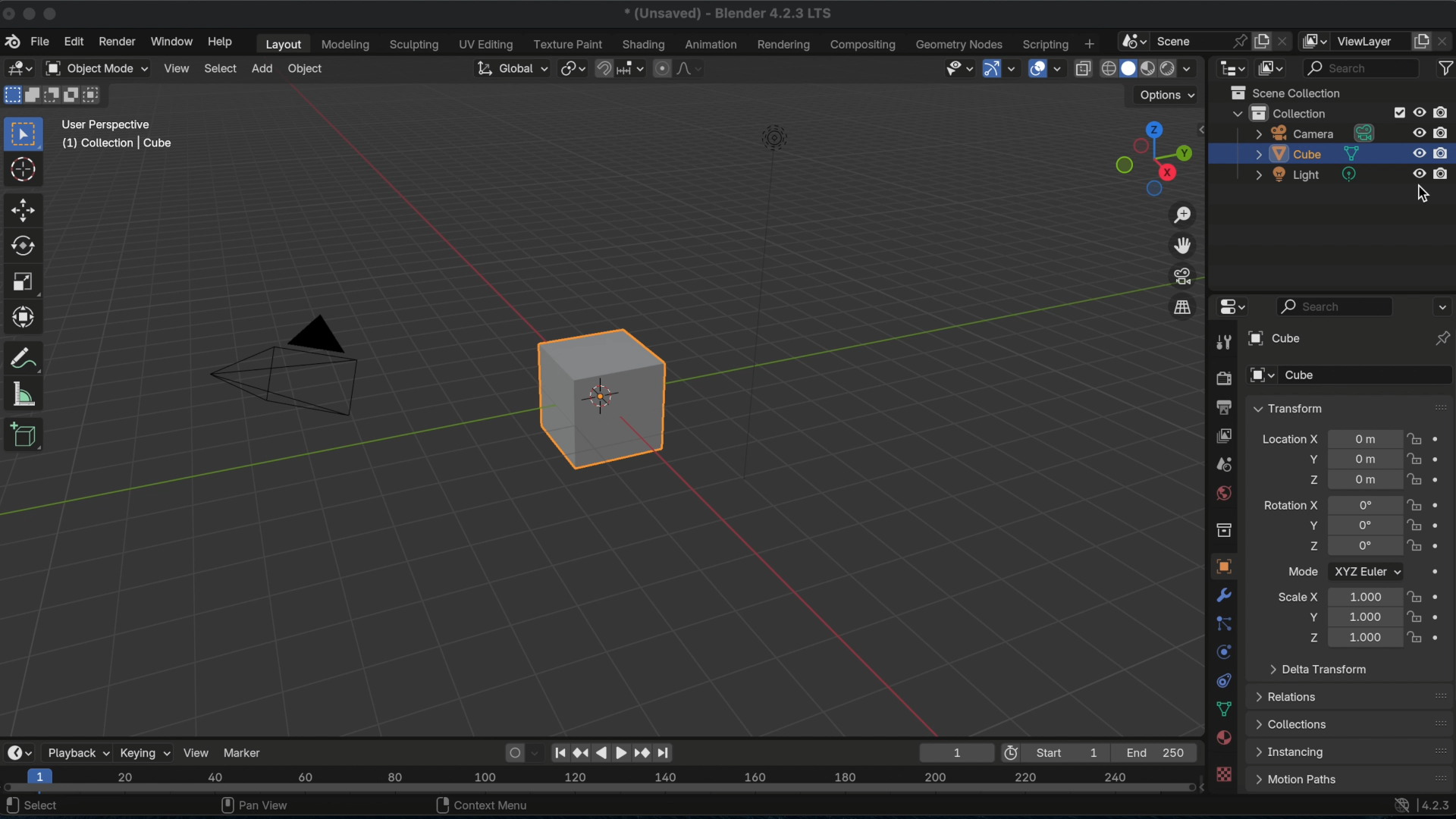 This screenshot has height=819, width=1456. Describe the element at coordinates (1363, 639) in the screenshot. I see `location scale` at that location.